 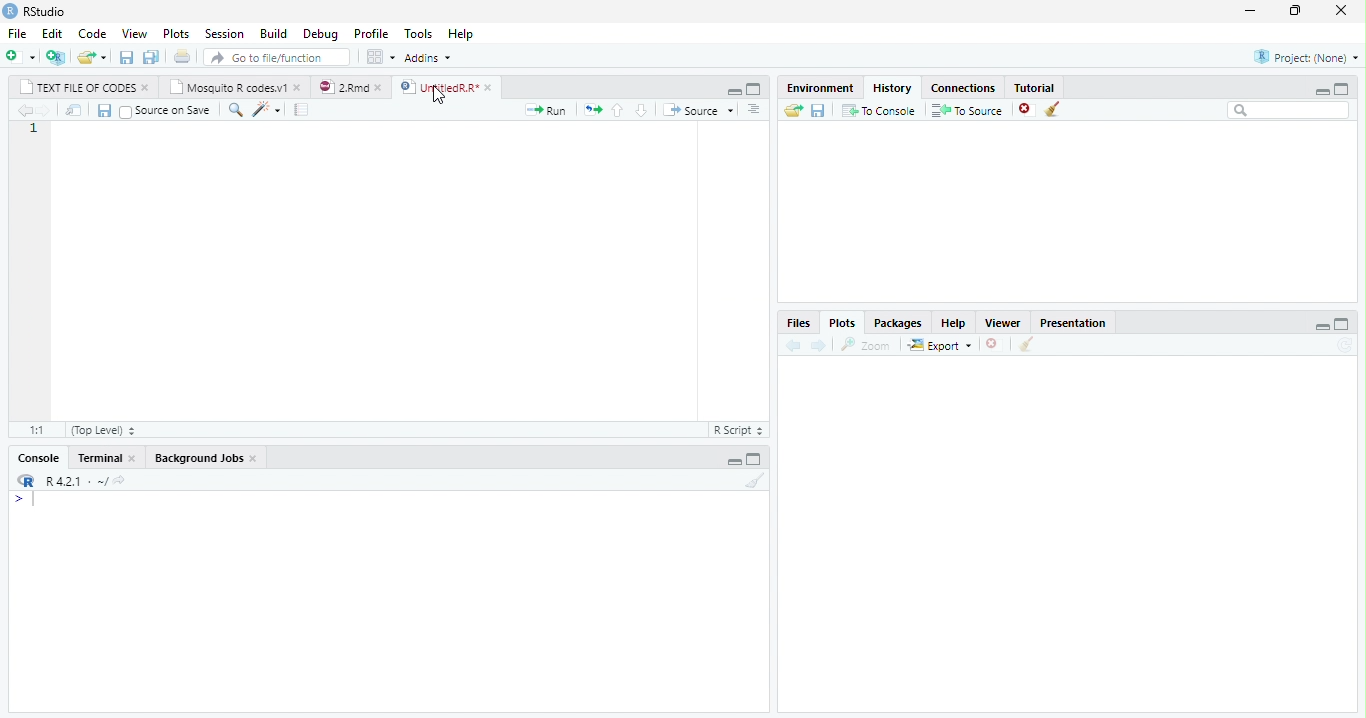 What do you see at coordinates (165, 110) in the screenshot?
I see `source on save` at bounding box center [165, 110].